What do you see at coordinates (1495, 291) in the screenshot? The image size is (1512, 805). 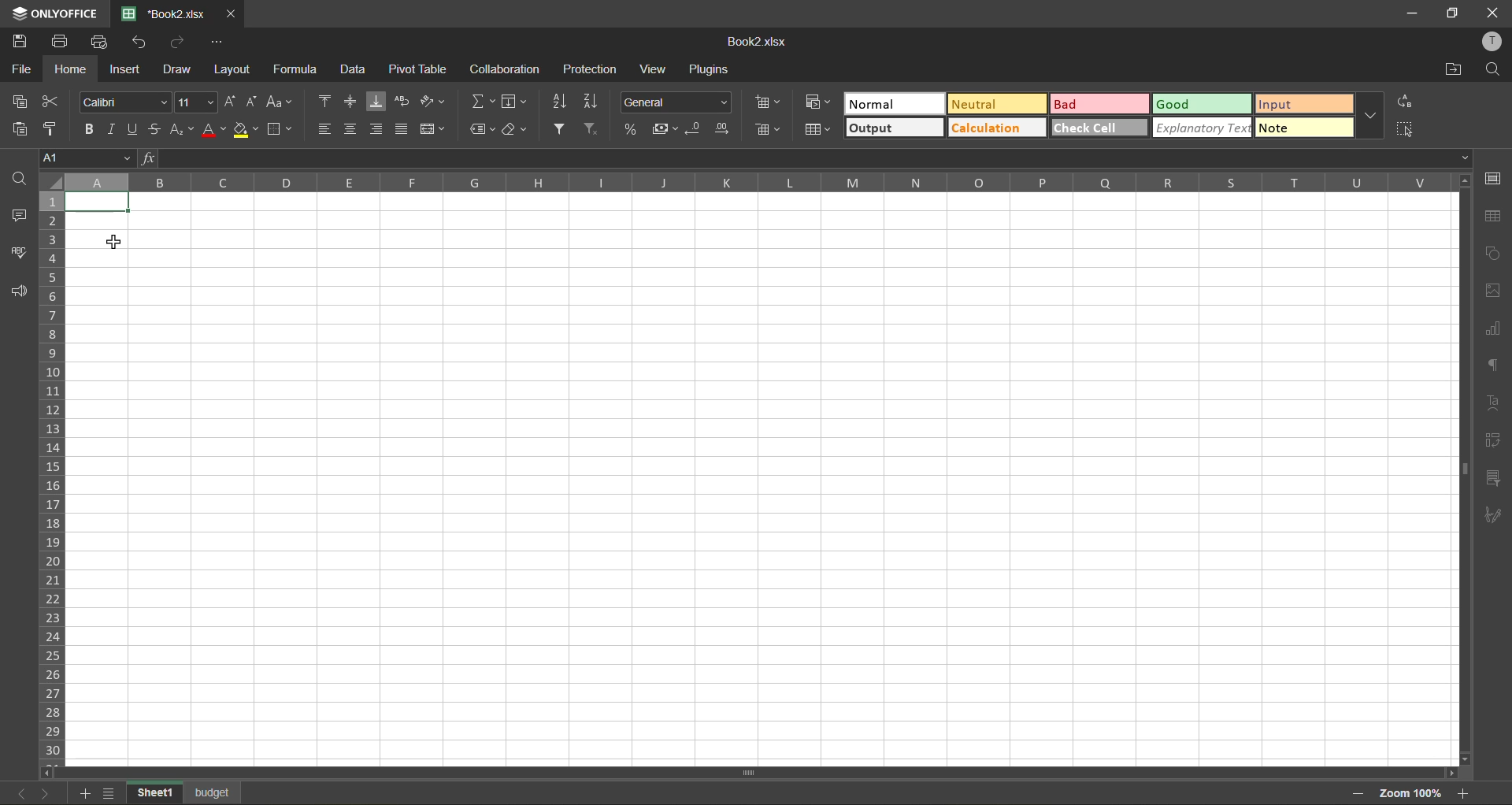 I see `images` at bounding box center [1495, 291].